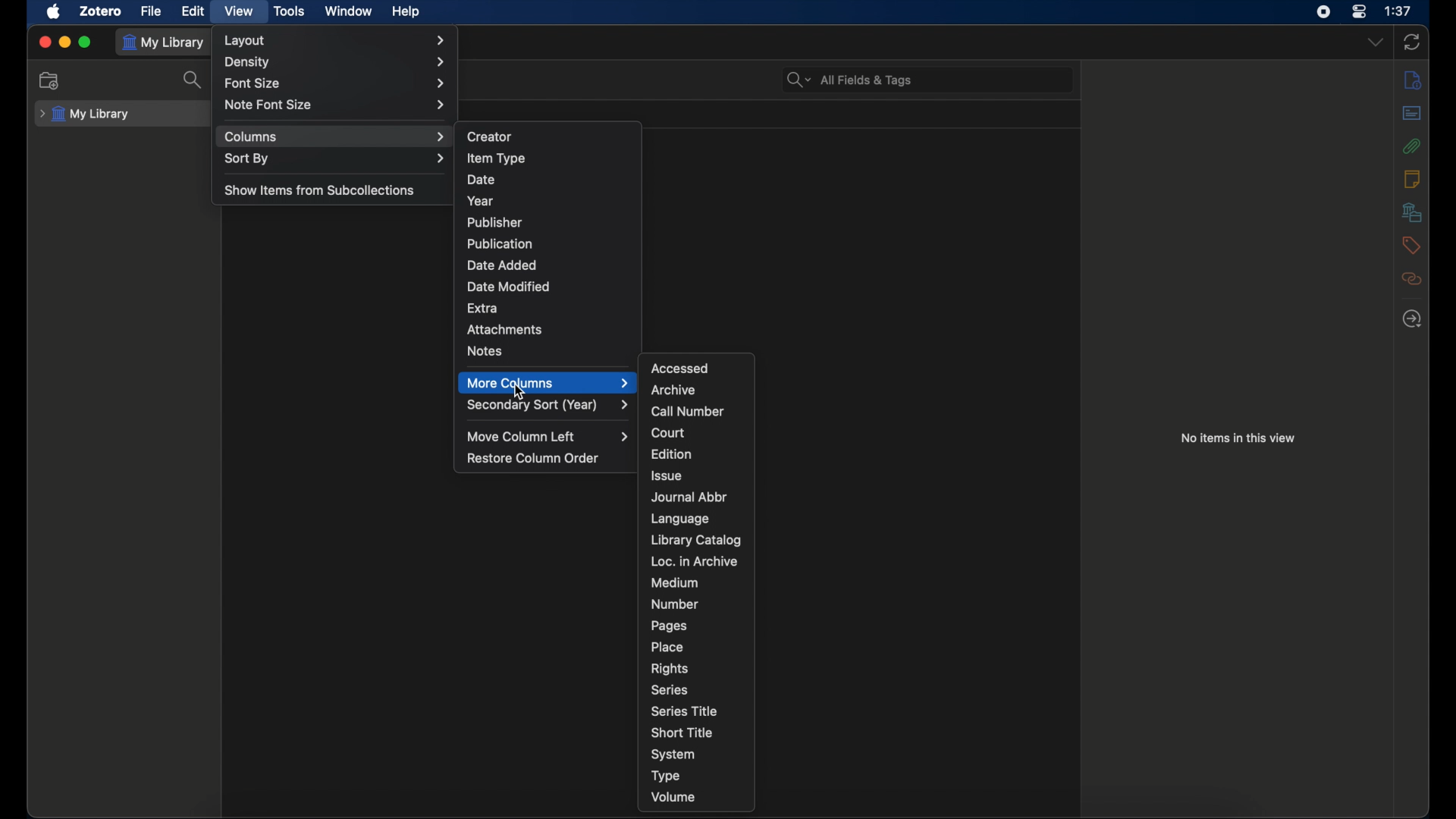  Describe the element at coordinates (334, 61) in the screenshot. I see `density` at that location.